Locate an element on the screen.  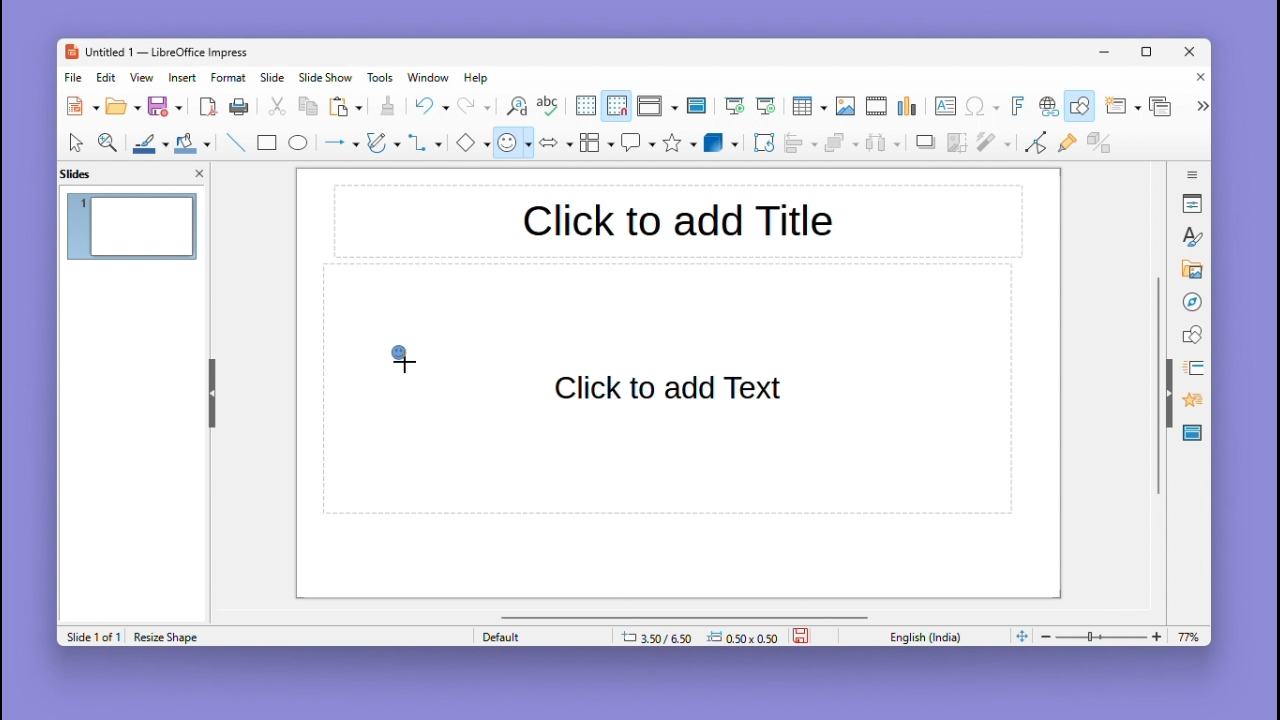
Edit is located at coordinates (108, 77).